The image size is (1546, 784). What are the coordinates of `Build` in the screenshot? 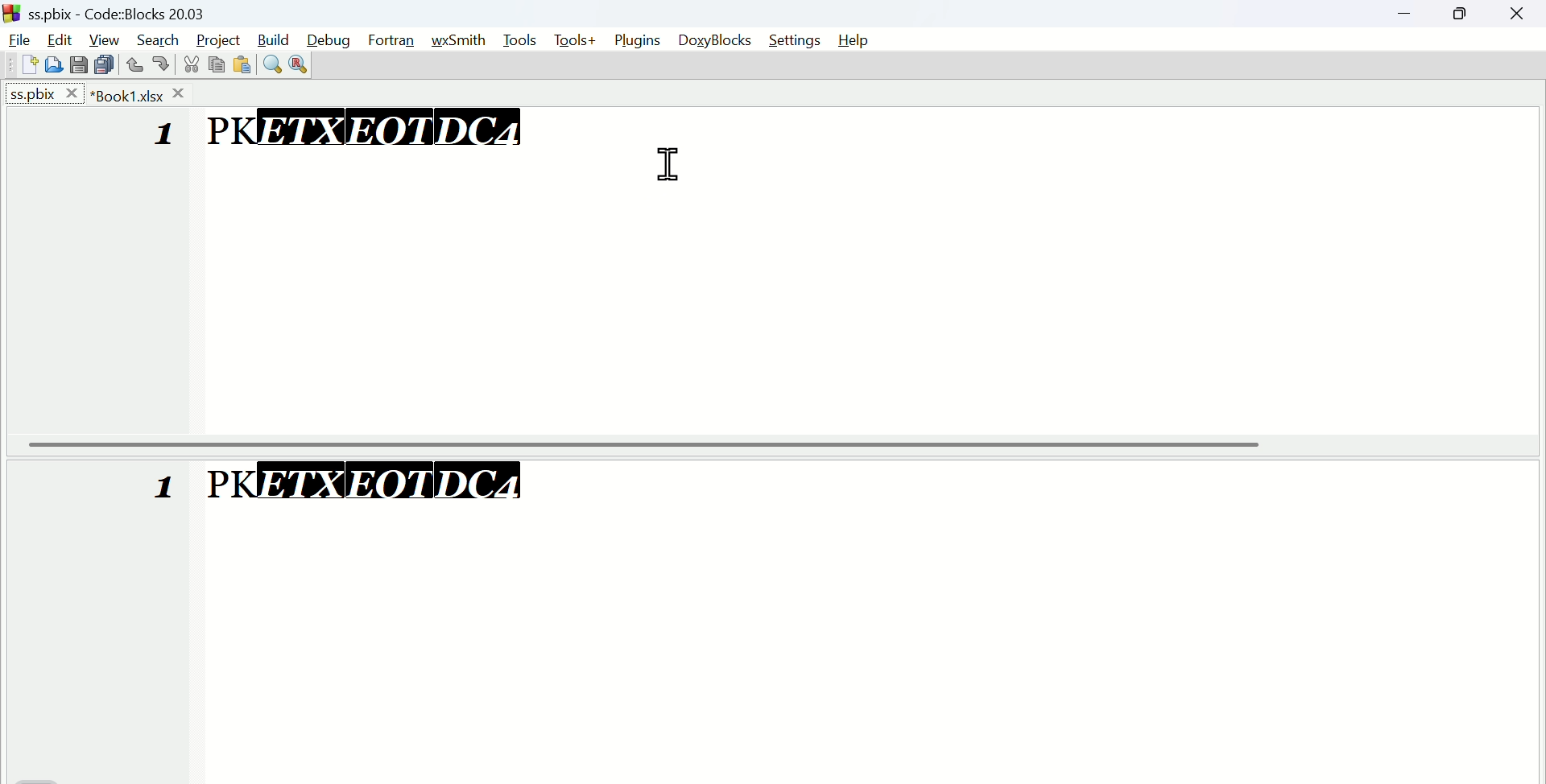 It's located at (275, 37).